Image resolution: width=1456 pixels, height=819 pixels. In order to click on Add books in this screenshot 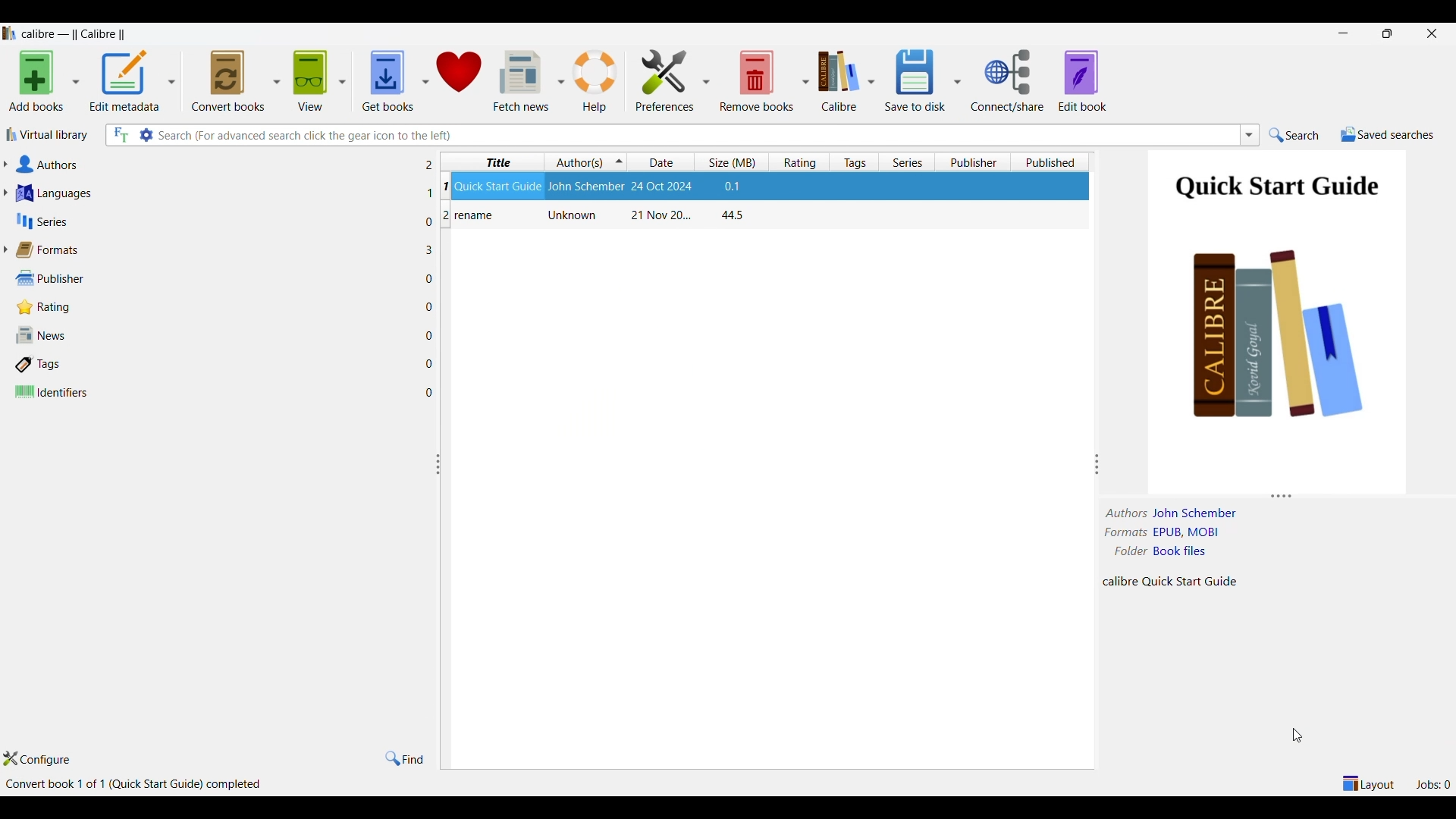, I will do `click(36, 82)`.